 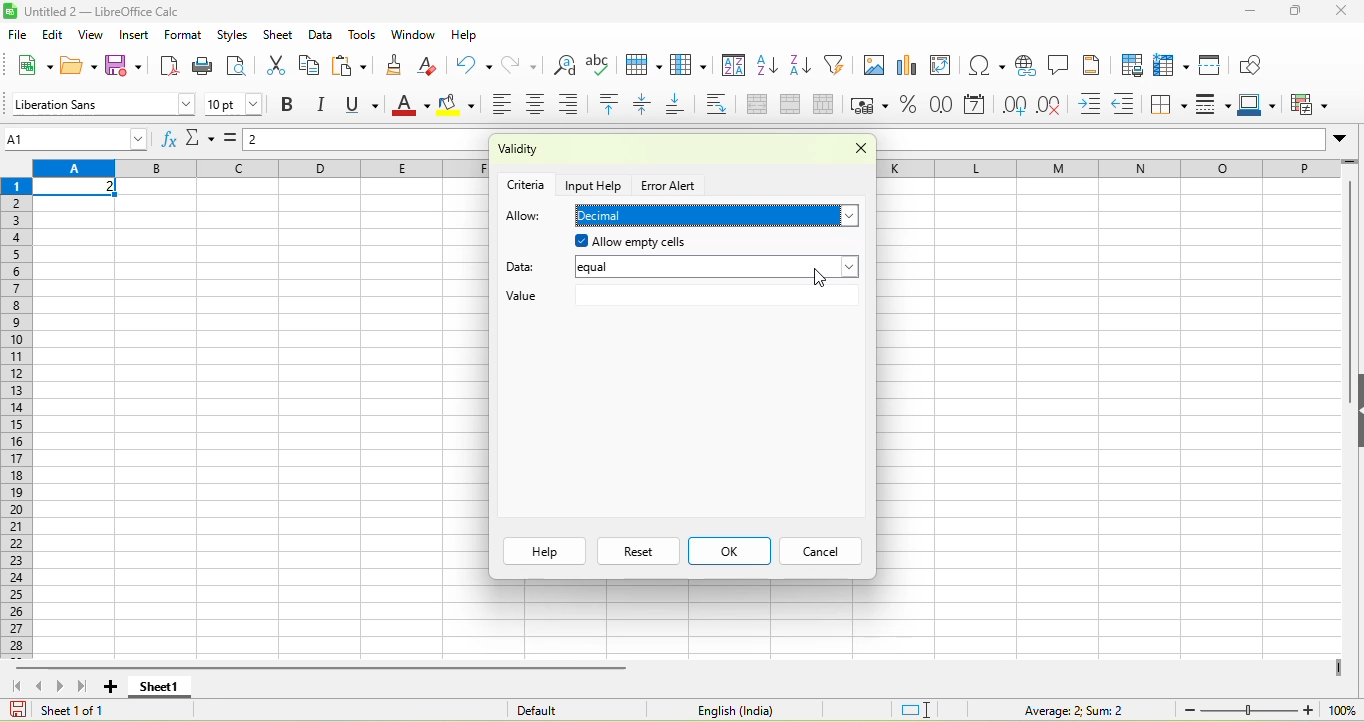 I want to click on hyperlink, so click(x=1025, y=65).